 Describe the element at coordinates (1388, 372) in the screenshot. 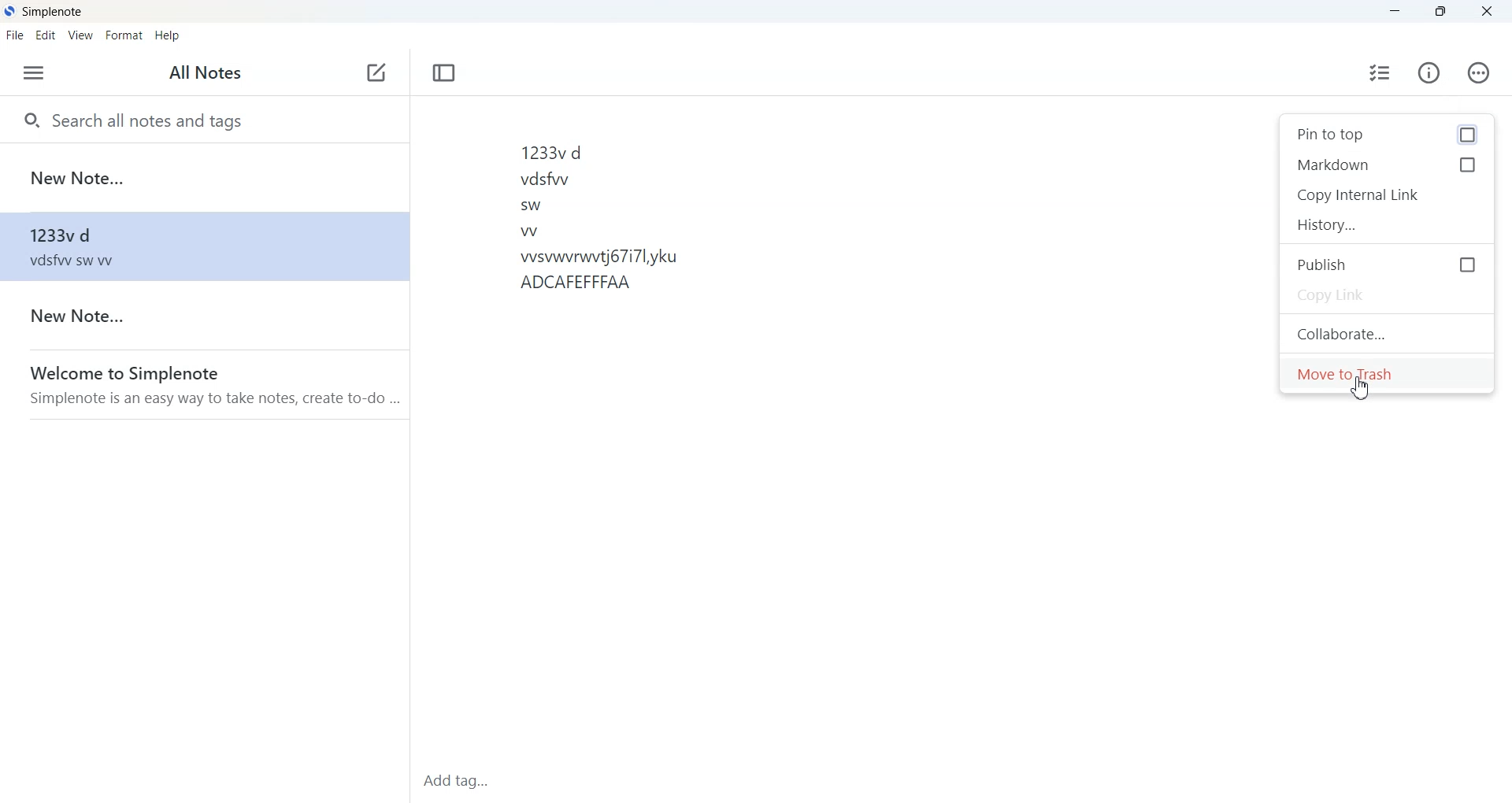

I see `Move to trash` at that location.